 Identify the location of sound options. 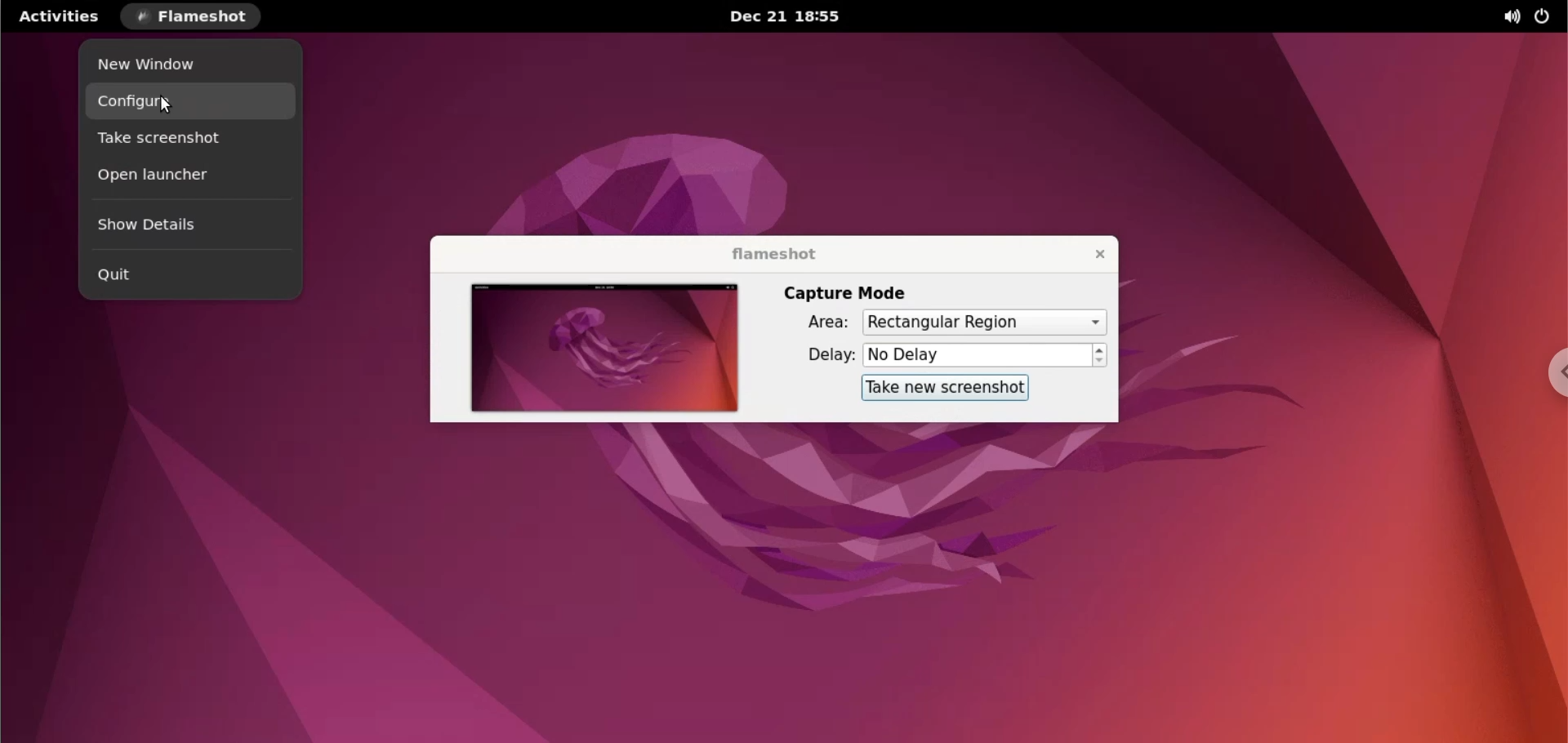
(1508, 17).